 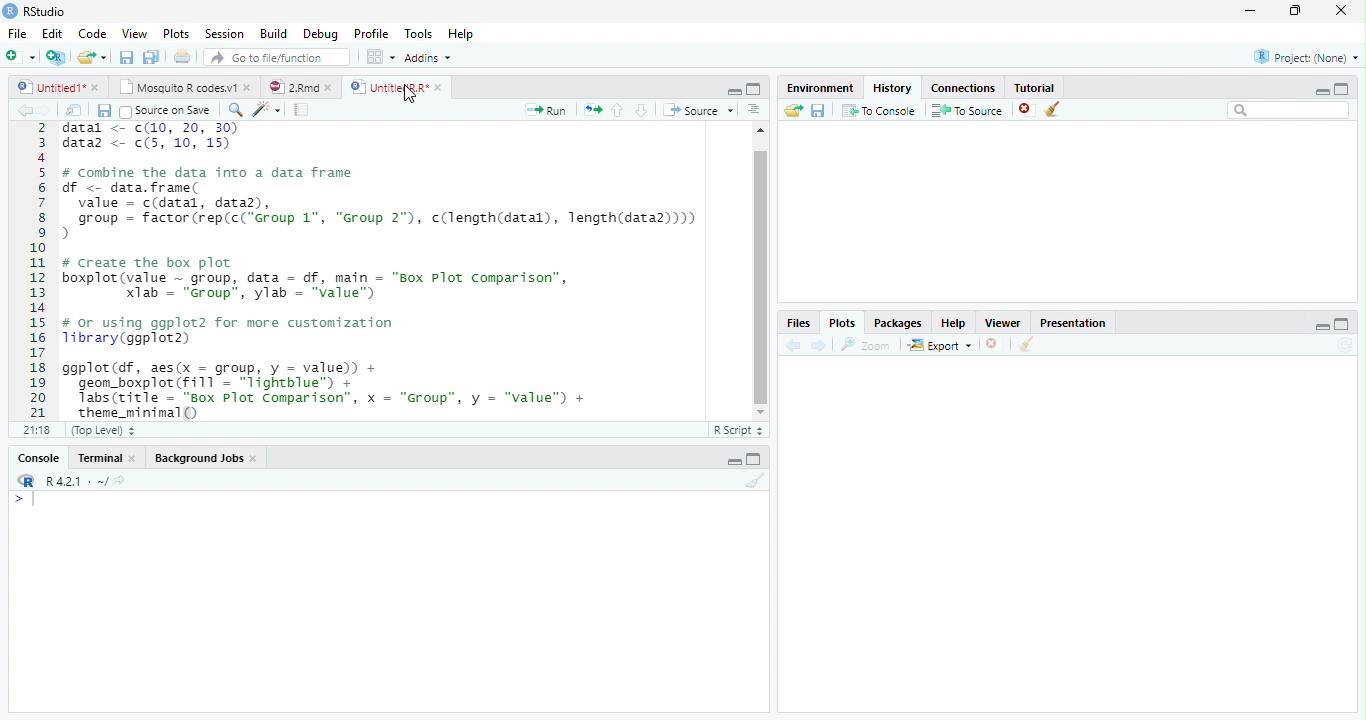 What do you see at coordinates (754, 109) in the screenshot?
I see `Show document outline` at bounding box center [754, 109].